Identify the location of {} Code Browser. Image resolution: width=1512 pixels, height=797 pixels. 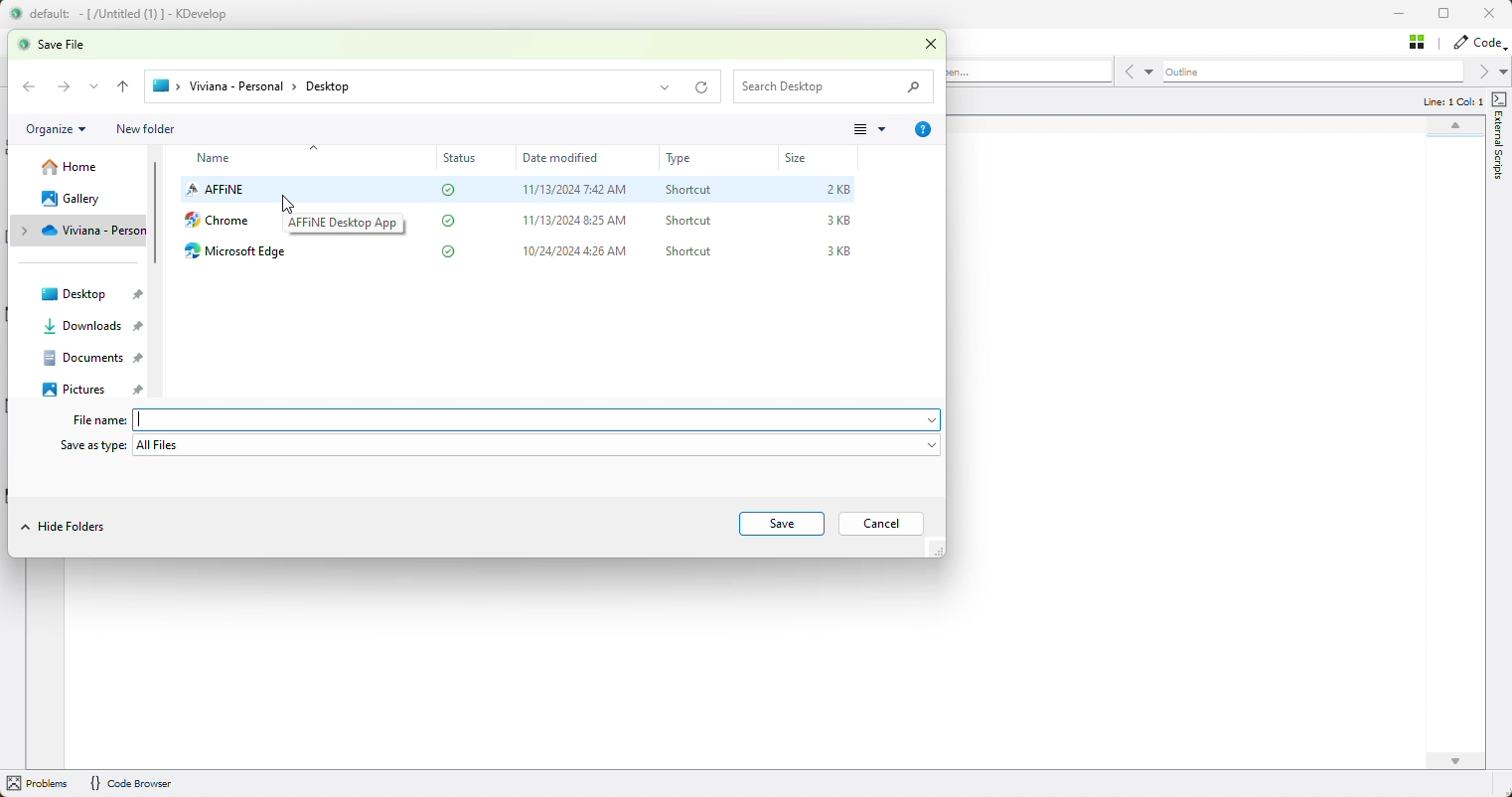
(131, 784).